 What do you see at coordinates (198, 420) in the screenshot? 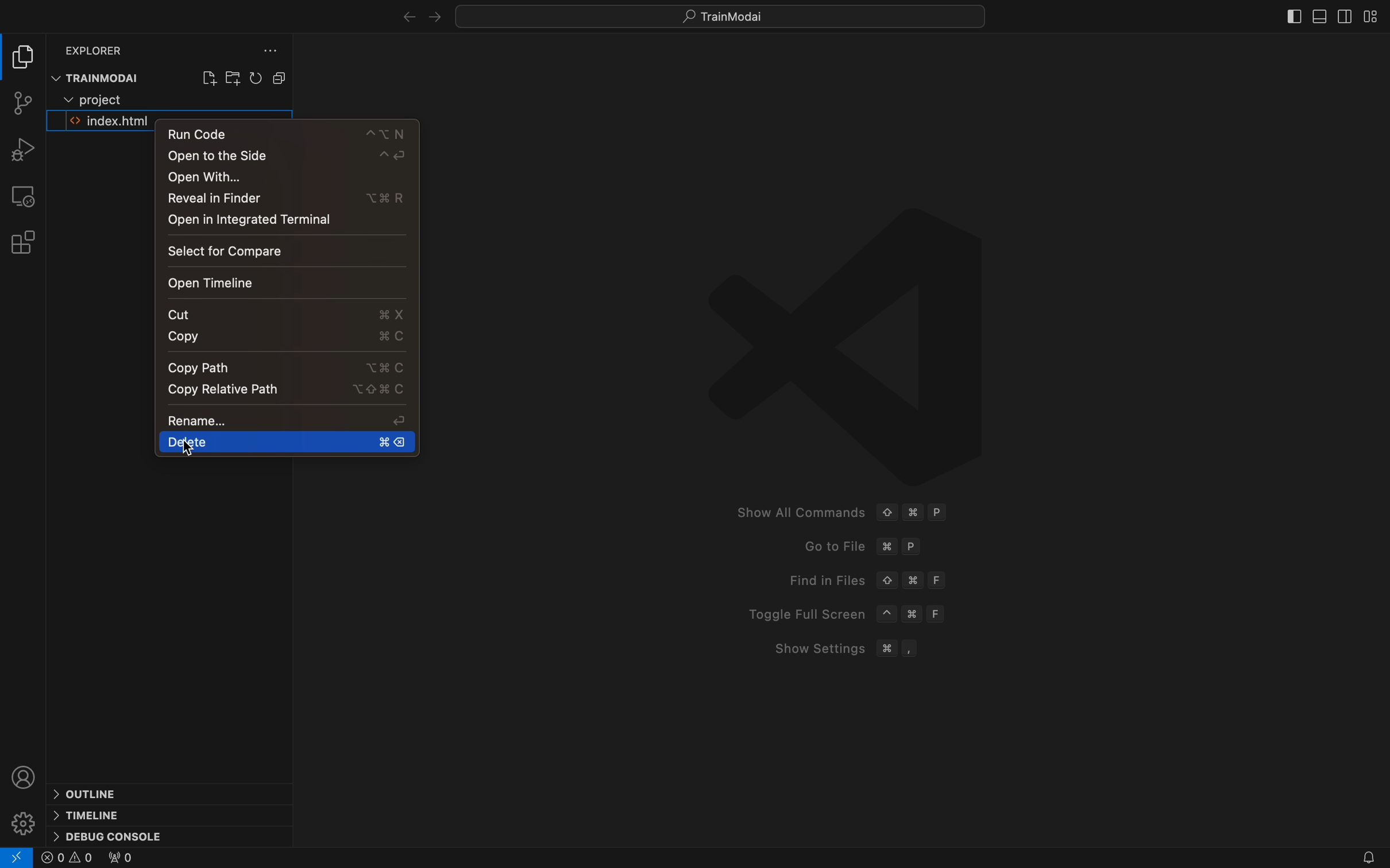
I see `Rename` at bounding box center [198, 420].